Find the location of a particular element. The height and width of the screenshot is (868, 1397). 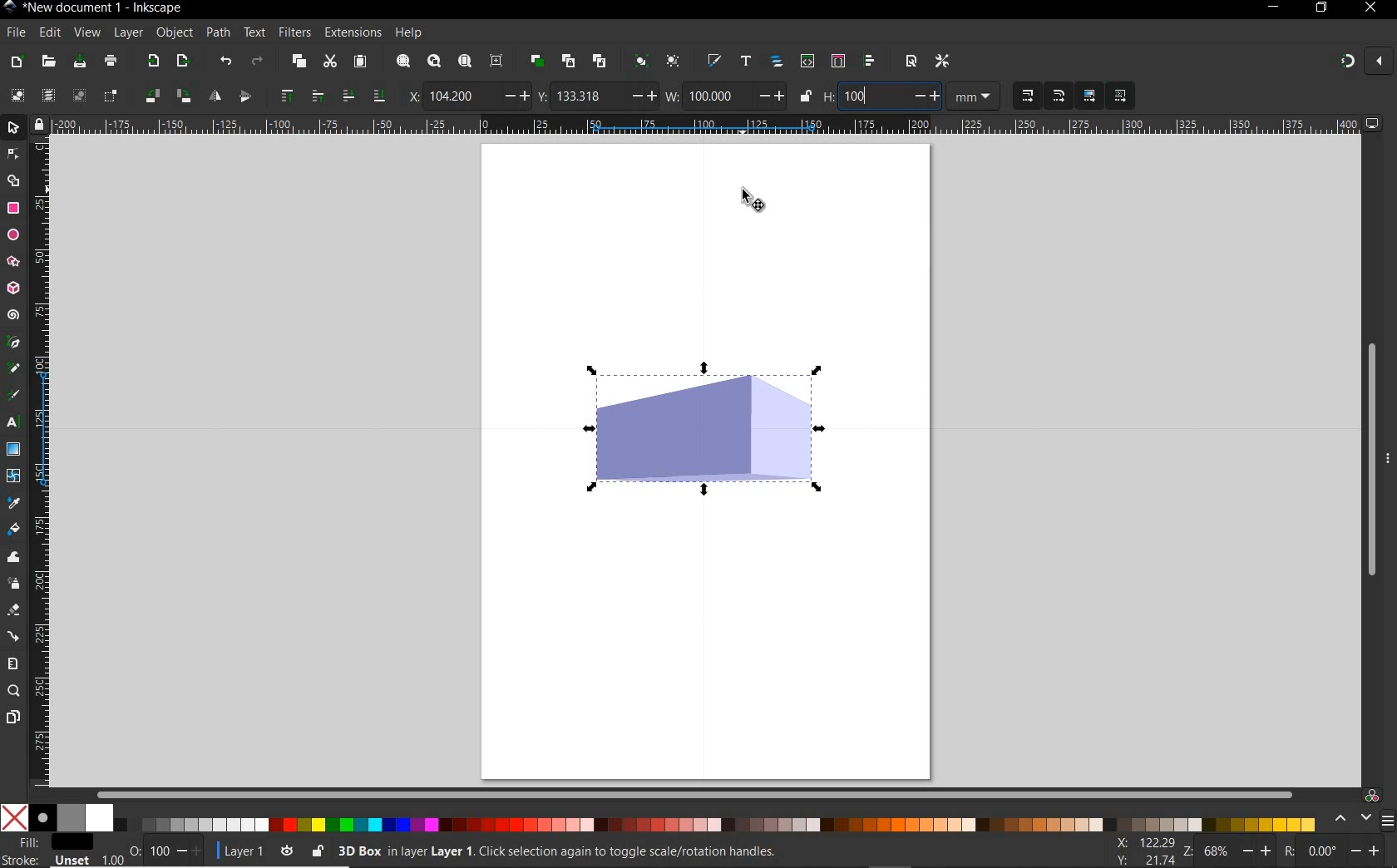

raise selection is located at coordinates (286, 97).